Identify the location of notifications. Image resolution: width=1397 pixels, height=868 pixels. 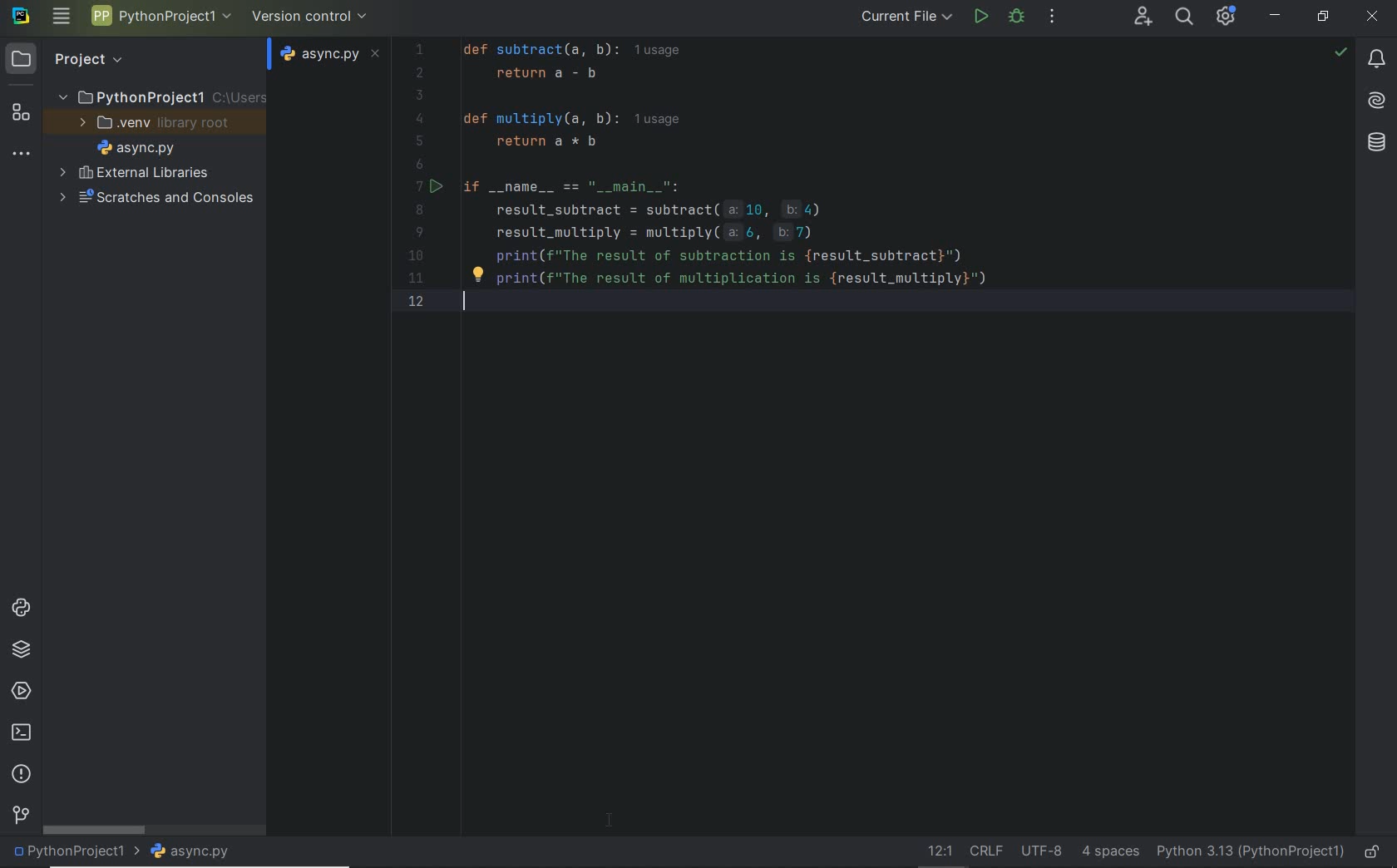
(1376, 62).